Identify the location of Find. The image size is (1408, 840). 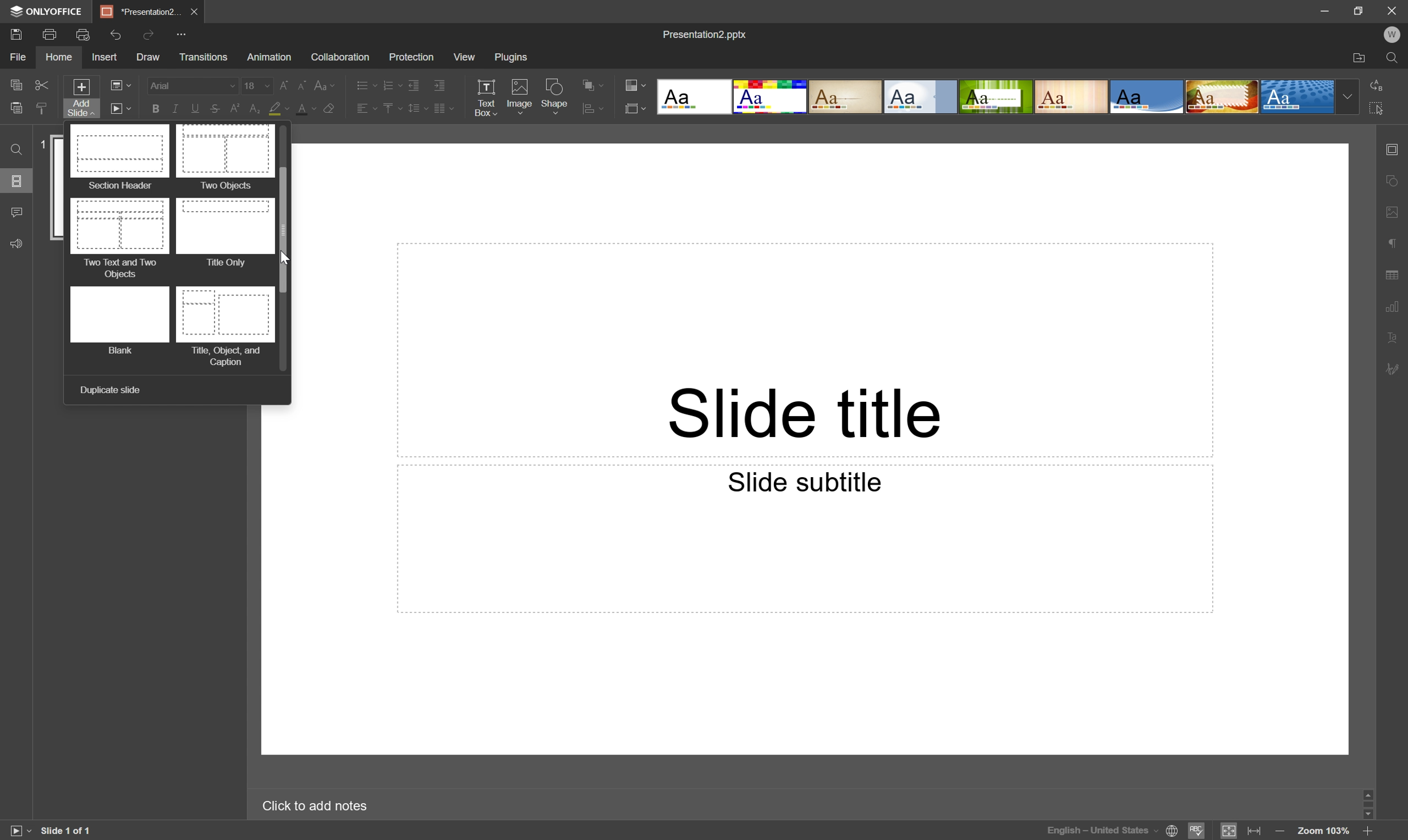
(1395, 57).